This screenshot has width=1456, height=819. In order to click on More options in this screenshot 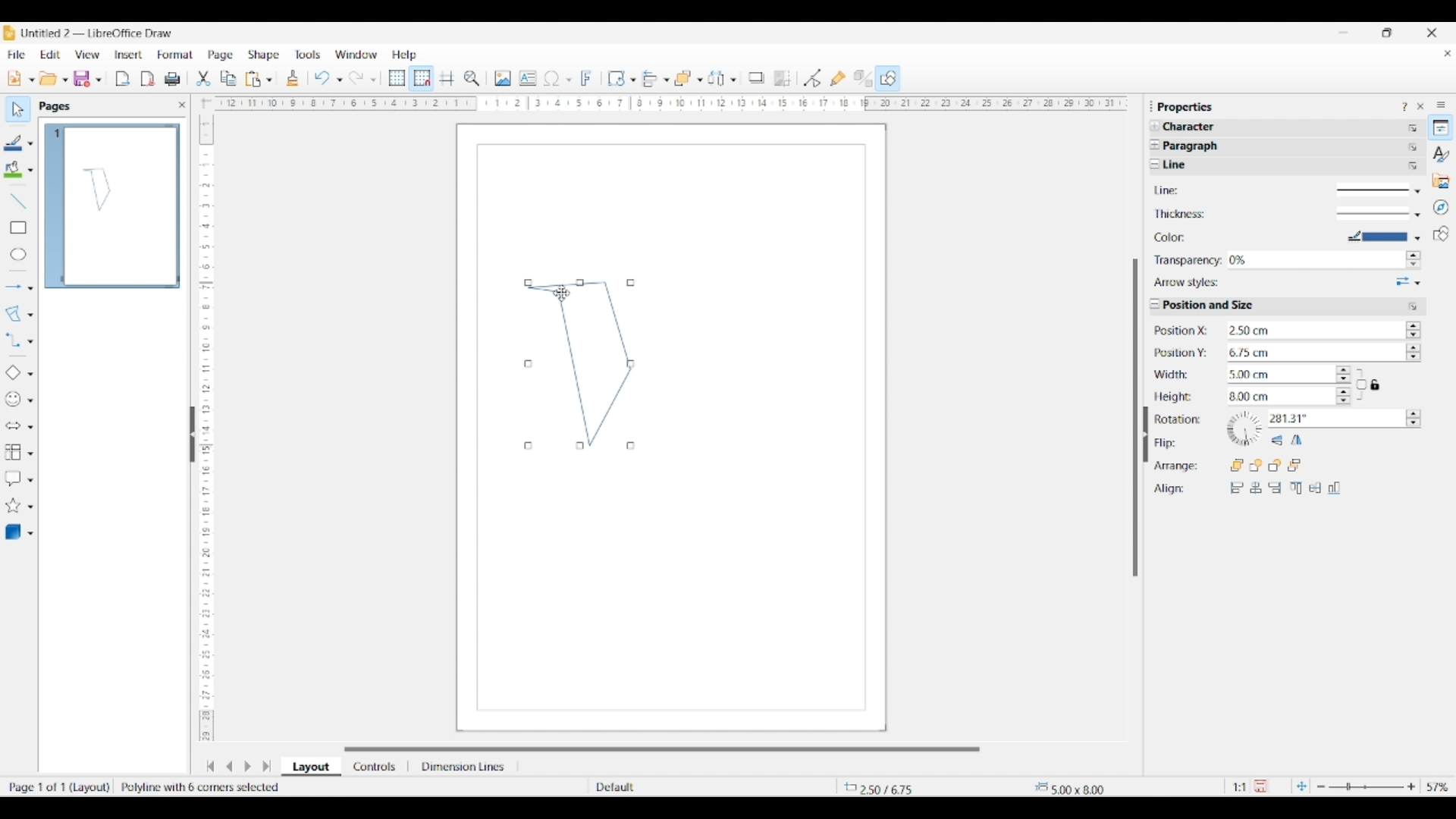, I will do `click(1413, 147)`.